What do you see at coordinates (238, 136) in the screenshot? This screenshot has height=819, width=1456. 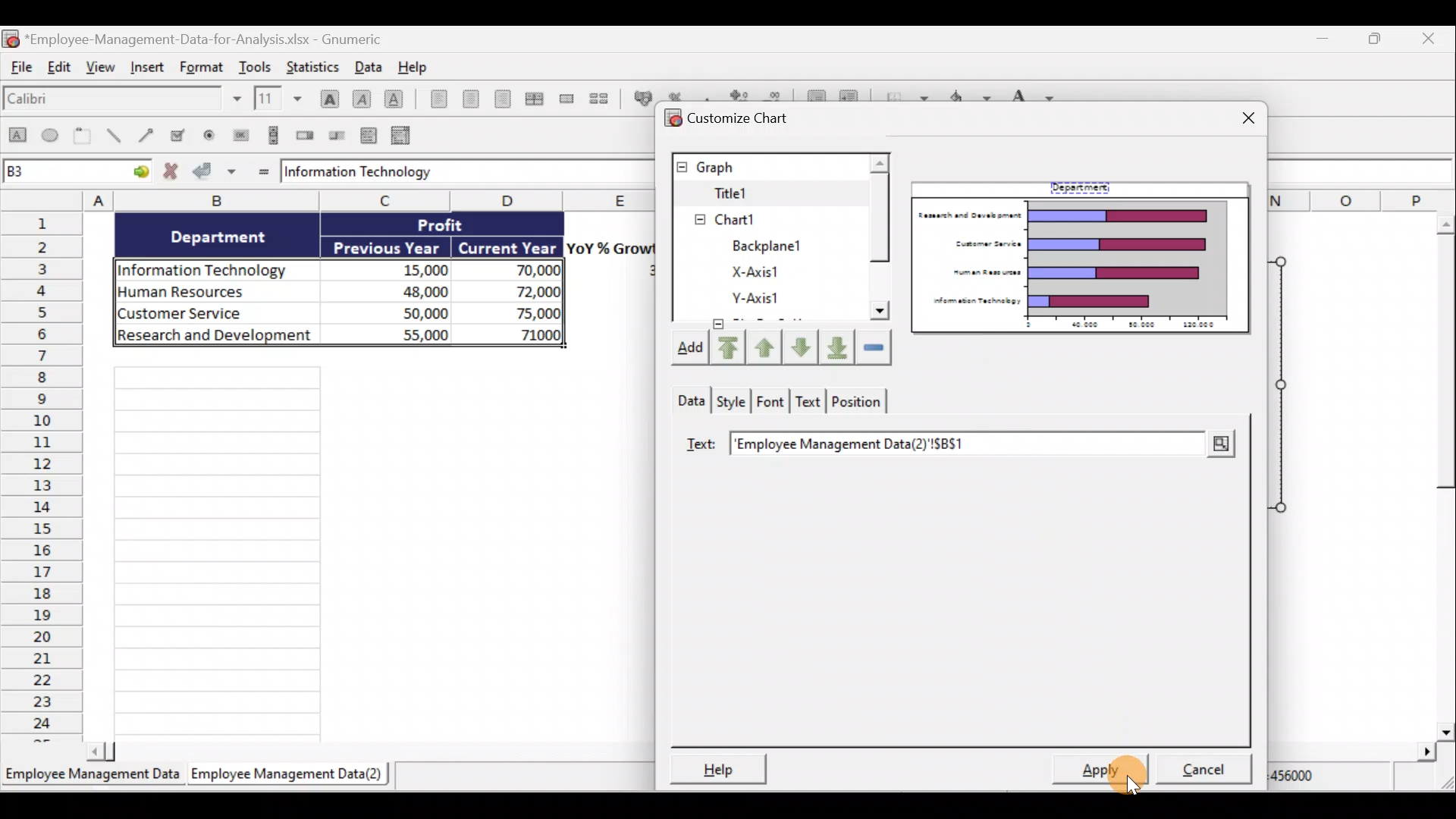 I see `Create a button` at bounding box center [238, 136].